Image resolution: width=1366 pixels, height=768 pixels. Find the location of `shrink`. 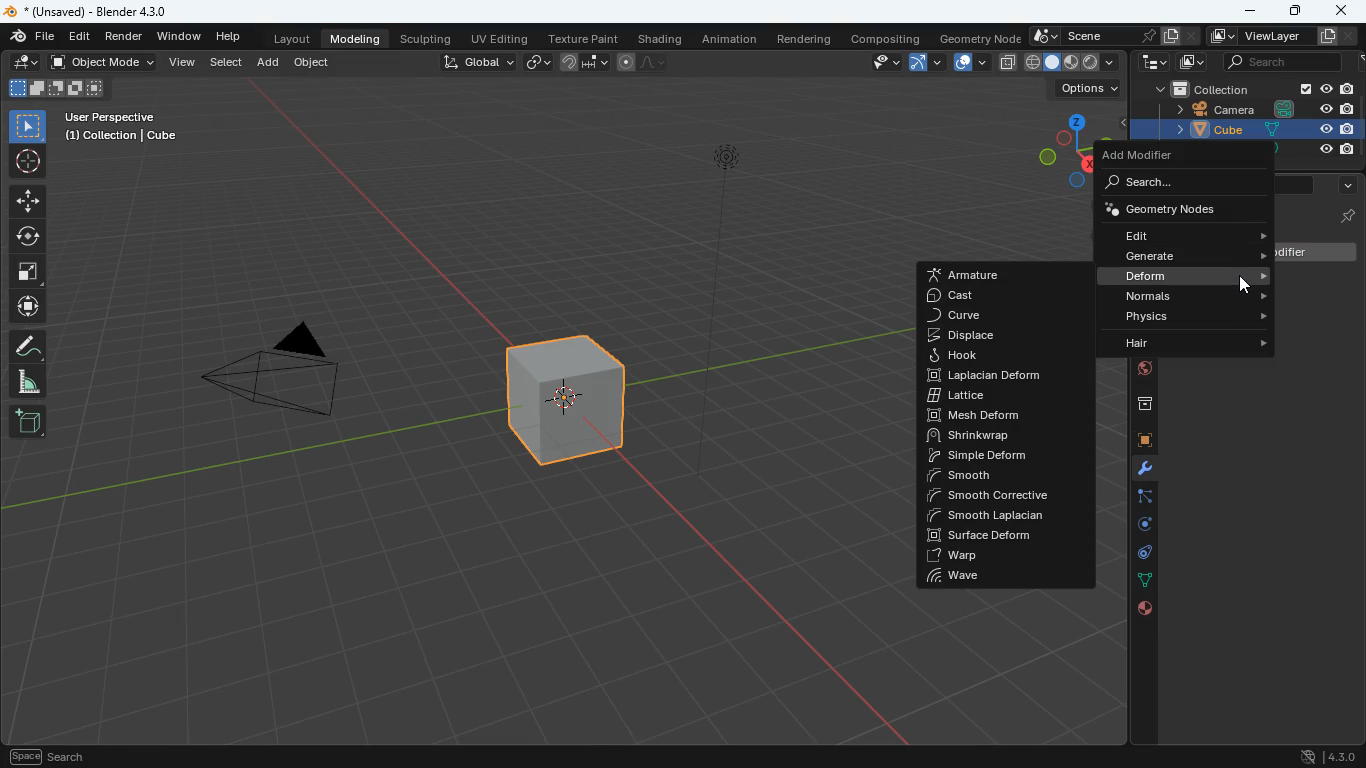

shrink is located at coordinates (976, 438).